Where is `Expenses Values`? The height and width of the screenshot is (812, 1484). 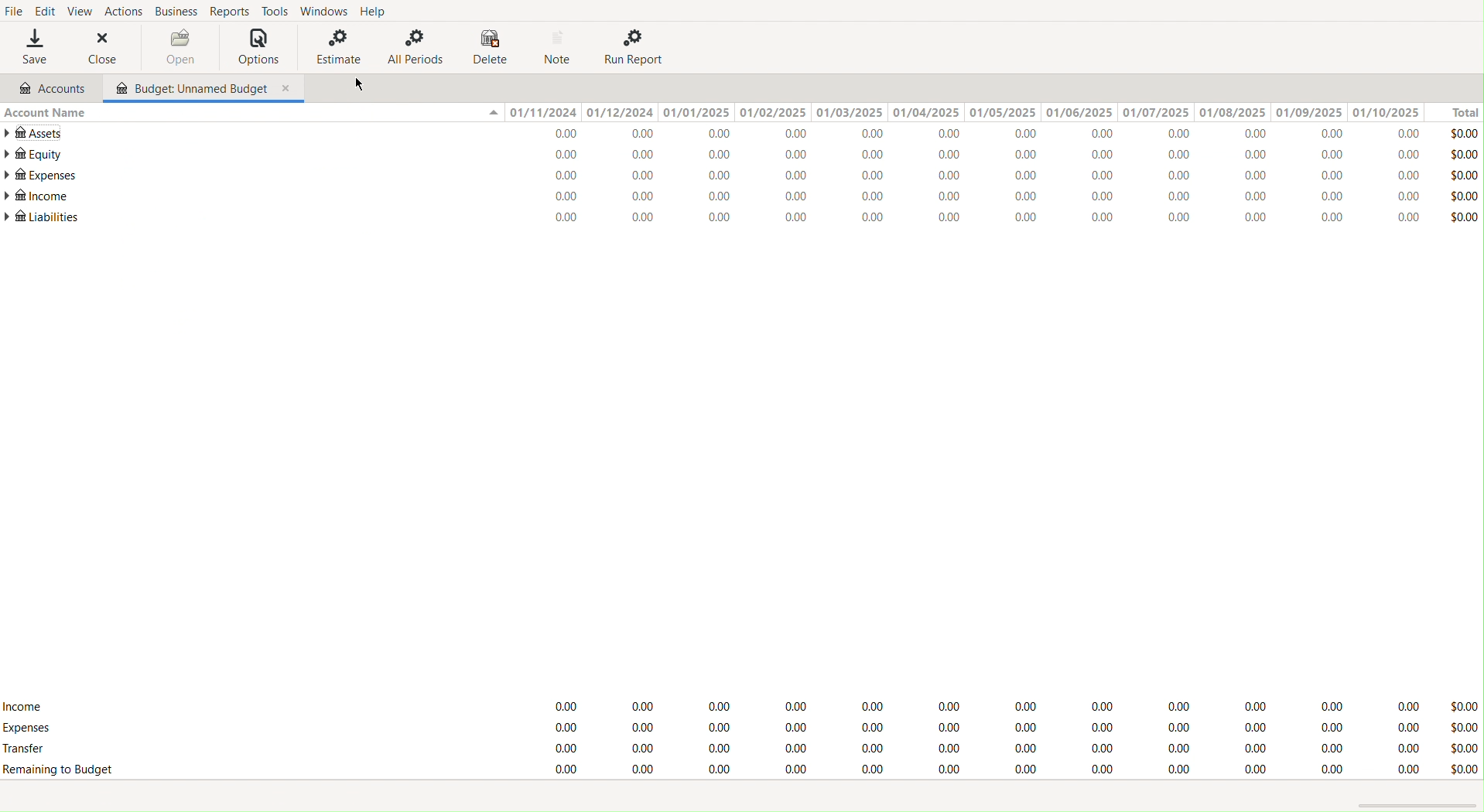
Expenses Values is located at coordinates (972, 178).